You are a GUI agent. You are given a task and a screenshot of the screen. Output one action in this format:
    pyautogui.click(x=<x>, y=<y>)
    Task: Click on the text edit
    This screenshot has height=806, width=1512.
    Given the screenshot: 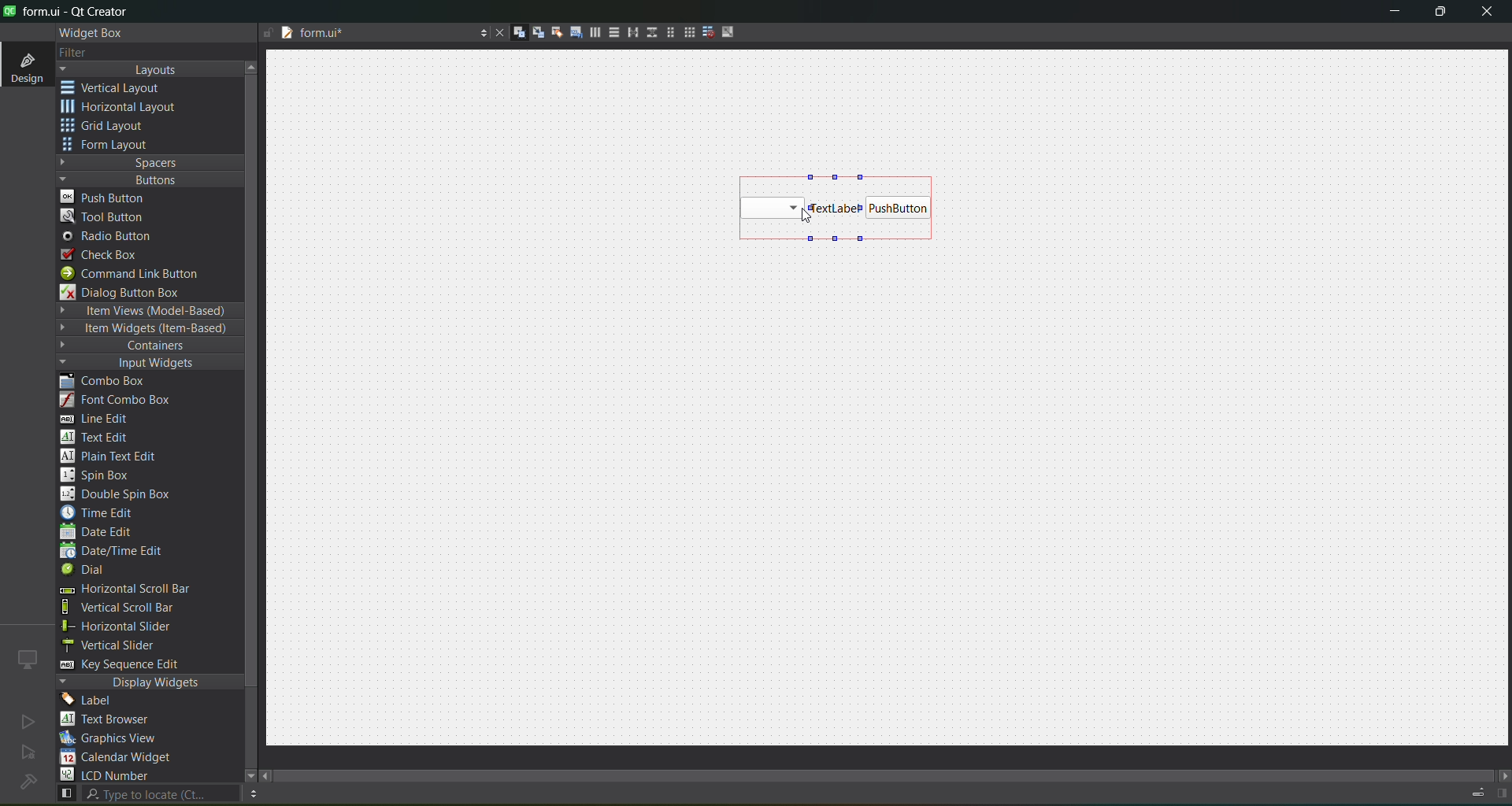 What is the action you would take?
    pyautogui.click(x=99, y=436)
    